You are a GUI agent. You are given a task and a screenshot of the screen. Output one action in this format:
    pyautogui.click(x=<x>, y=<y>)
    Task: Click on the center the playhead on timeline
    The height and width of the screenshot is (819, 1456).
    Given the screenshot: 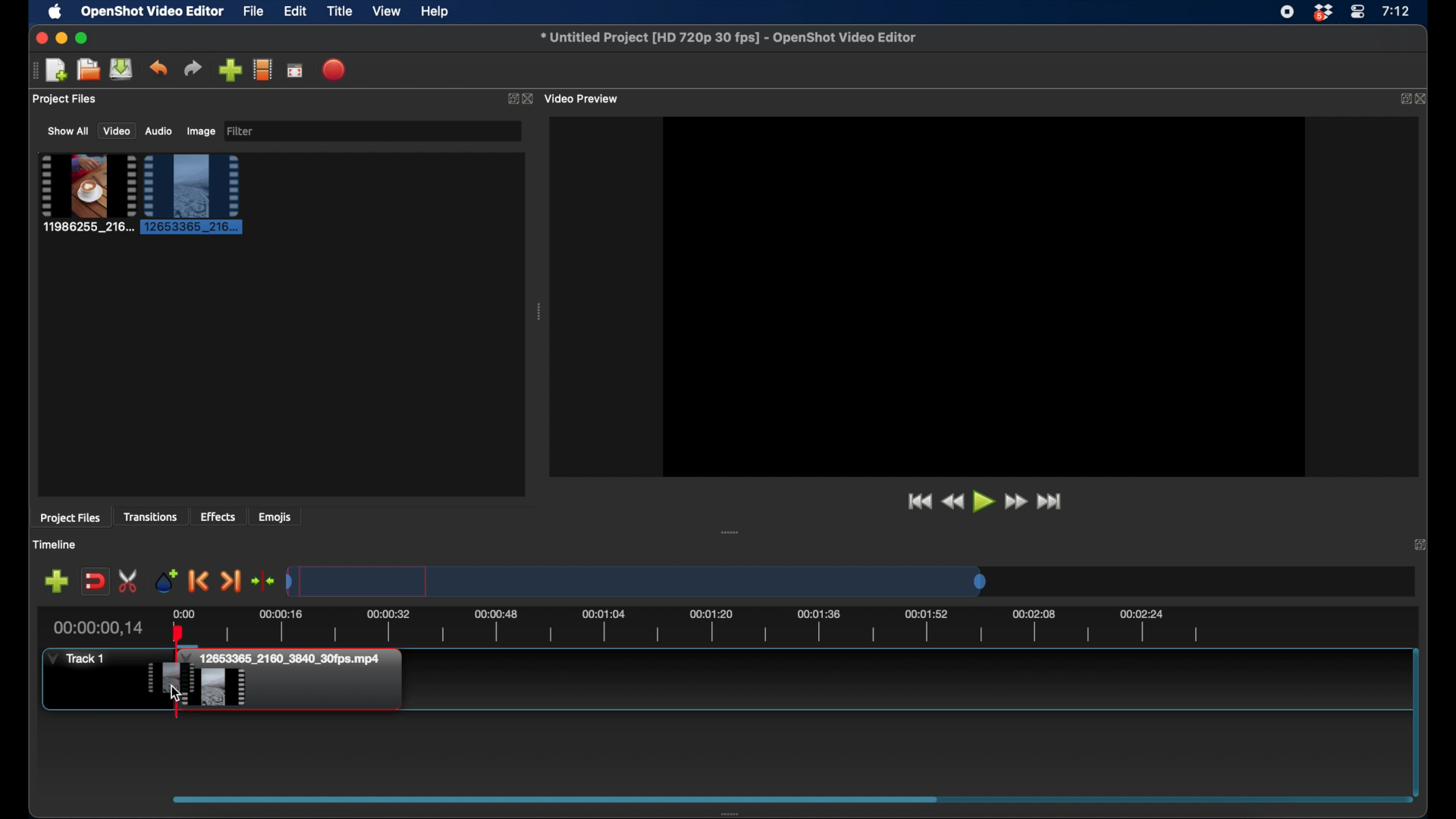 What is the action you would take?
    pyautogui.click(x=264, y=580)
    